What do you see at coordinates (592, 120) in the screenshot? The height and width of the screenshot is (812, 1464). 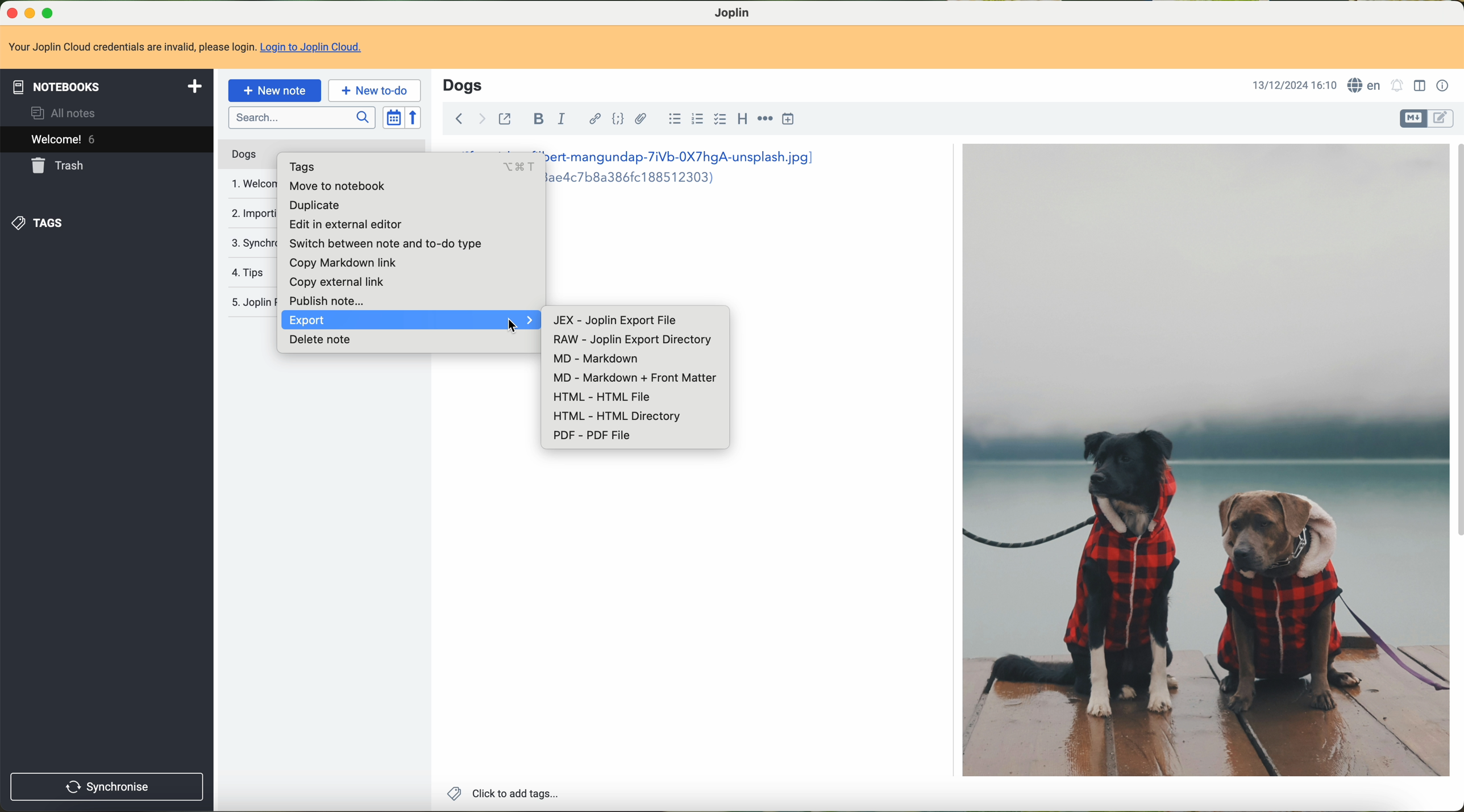 I see `hyperlink` at bounding box center [592, 120].